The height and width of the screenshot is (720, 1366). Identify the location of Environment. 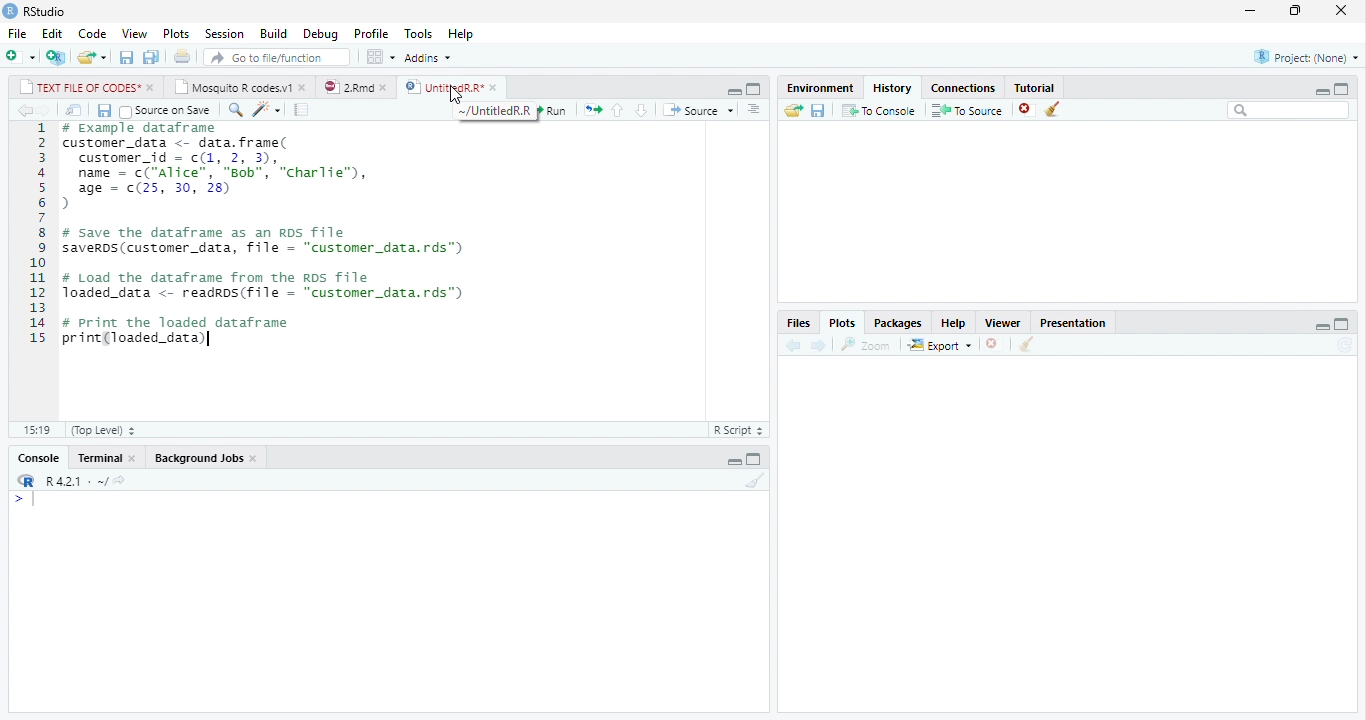
(820, 87).